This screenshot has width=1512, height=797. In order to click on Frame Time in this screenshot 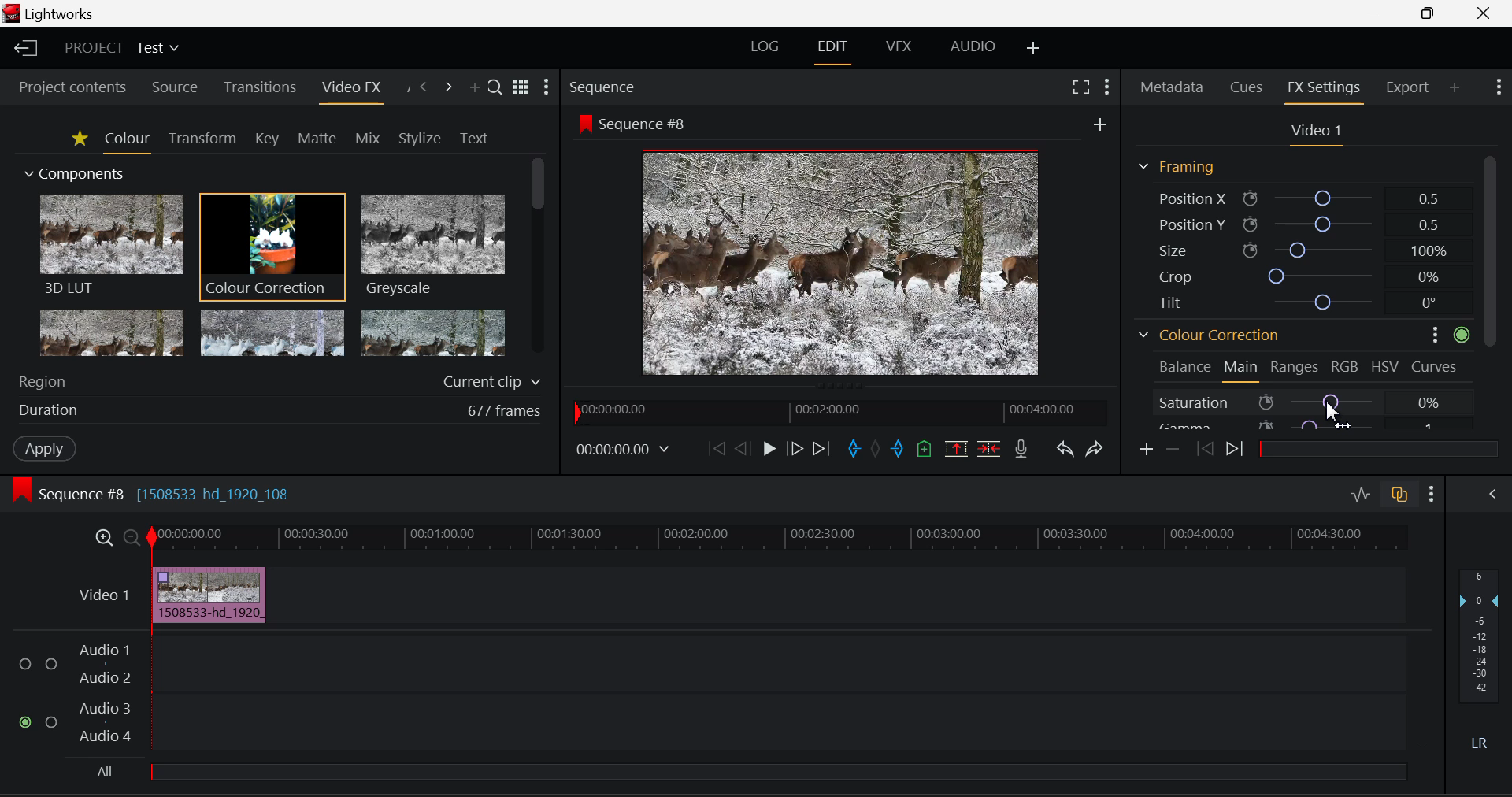, I will do `click(623, 451)`.